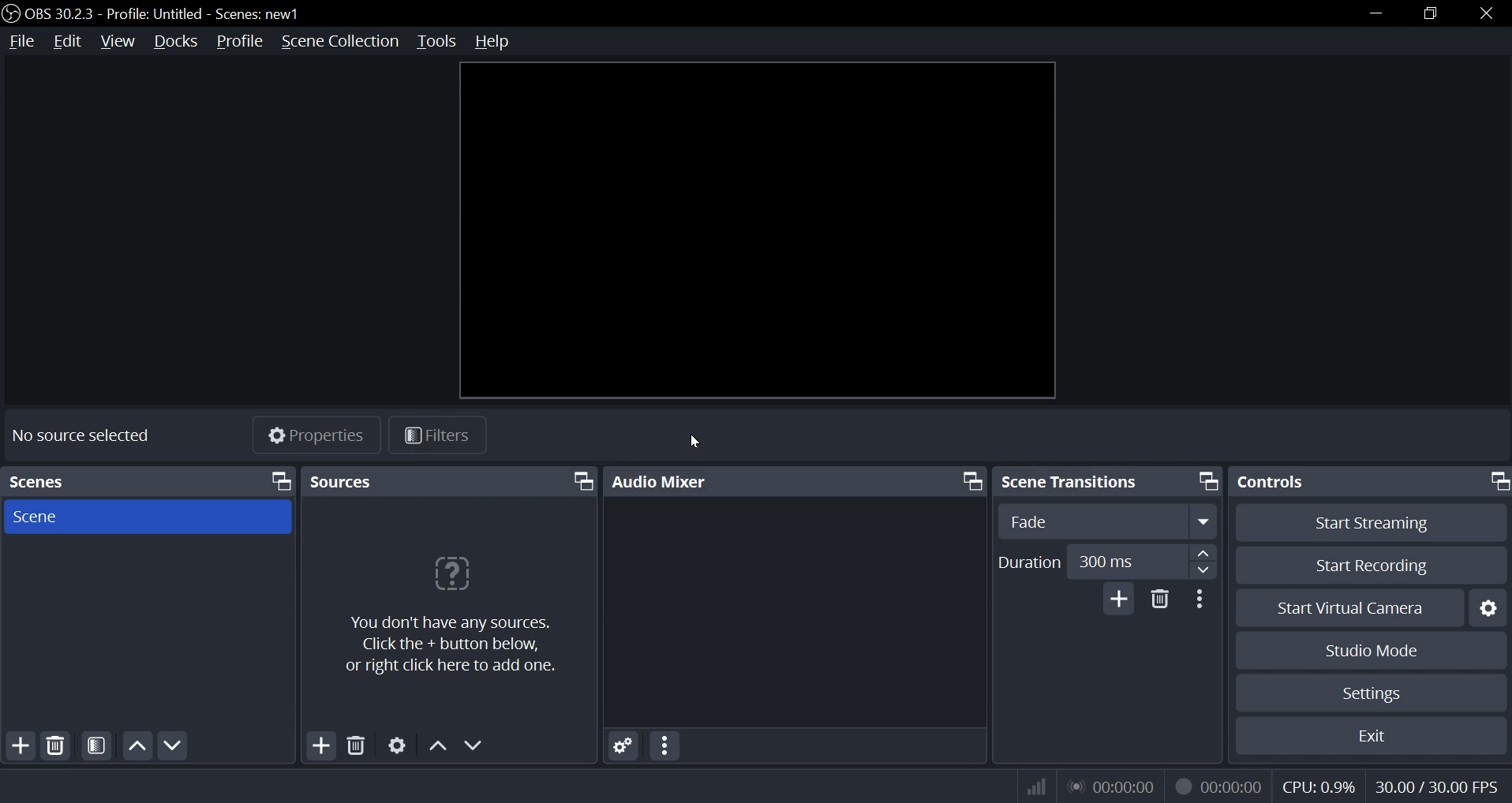 The height and width of the screenshot is (803, 1512). What do you see at coordinates (970, 480) in the screenshot?
I see `bring front` at bounding box center [970, 480].